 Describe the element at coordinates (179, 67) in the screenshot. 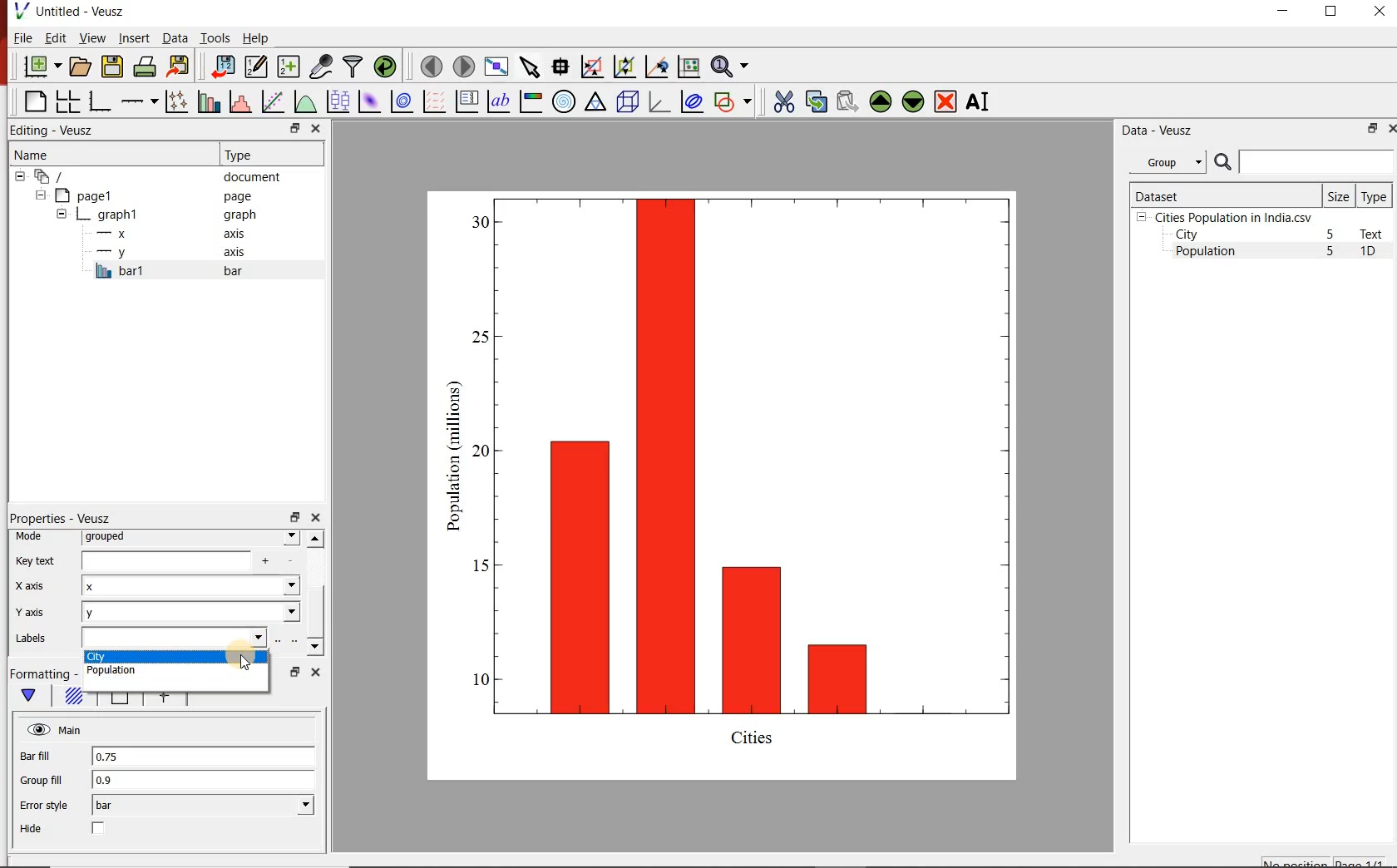

I see `export to graphics format` at that location.